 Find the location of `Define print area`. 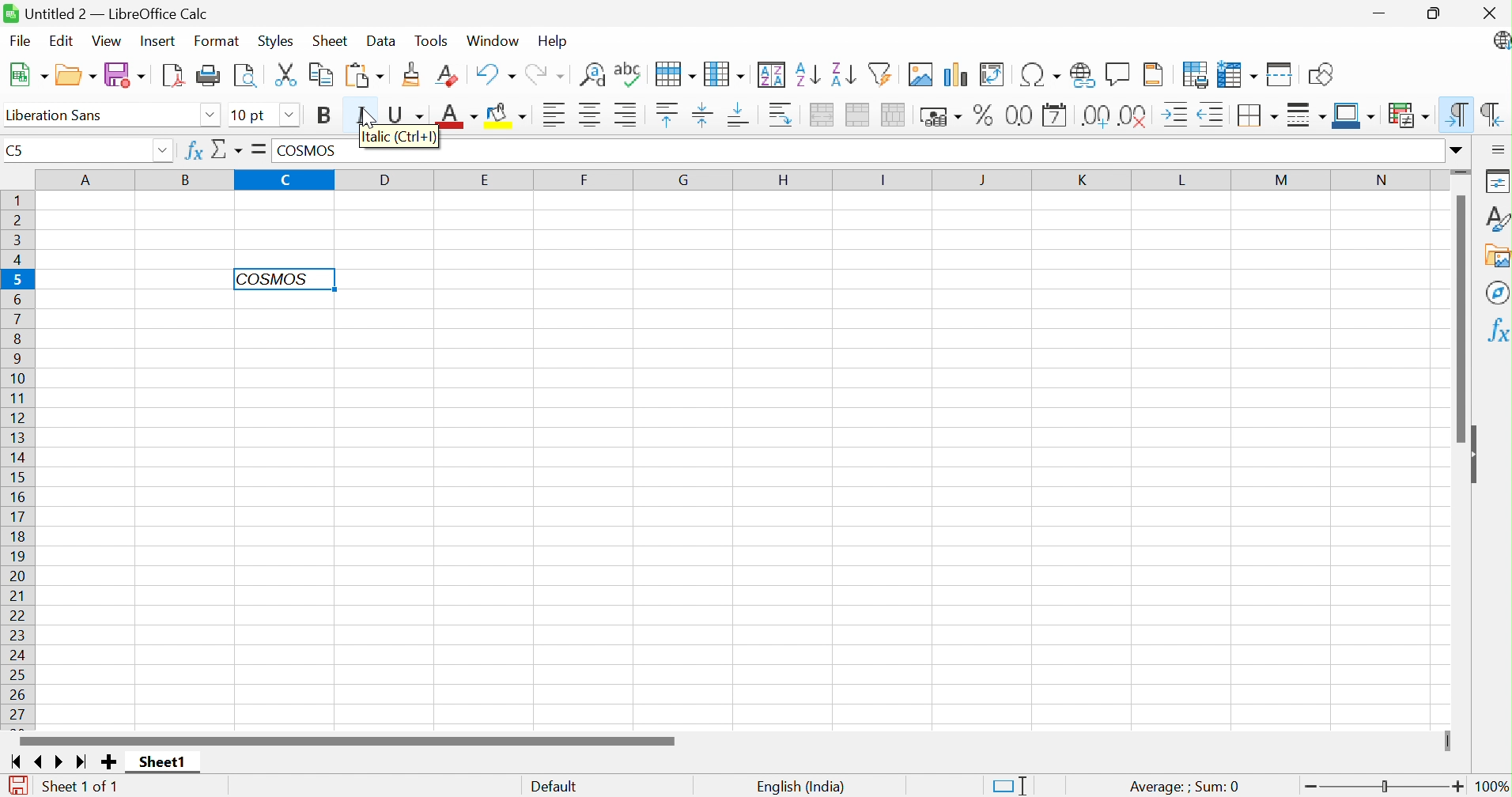

Define print area is located at coordinates (1196, 75).